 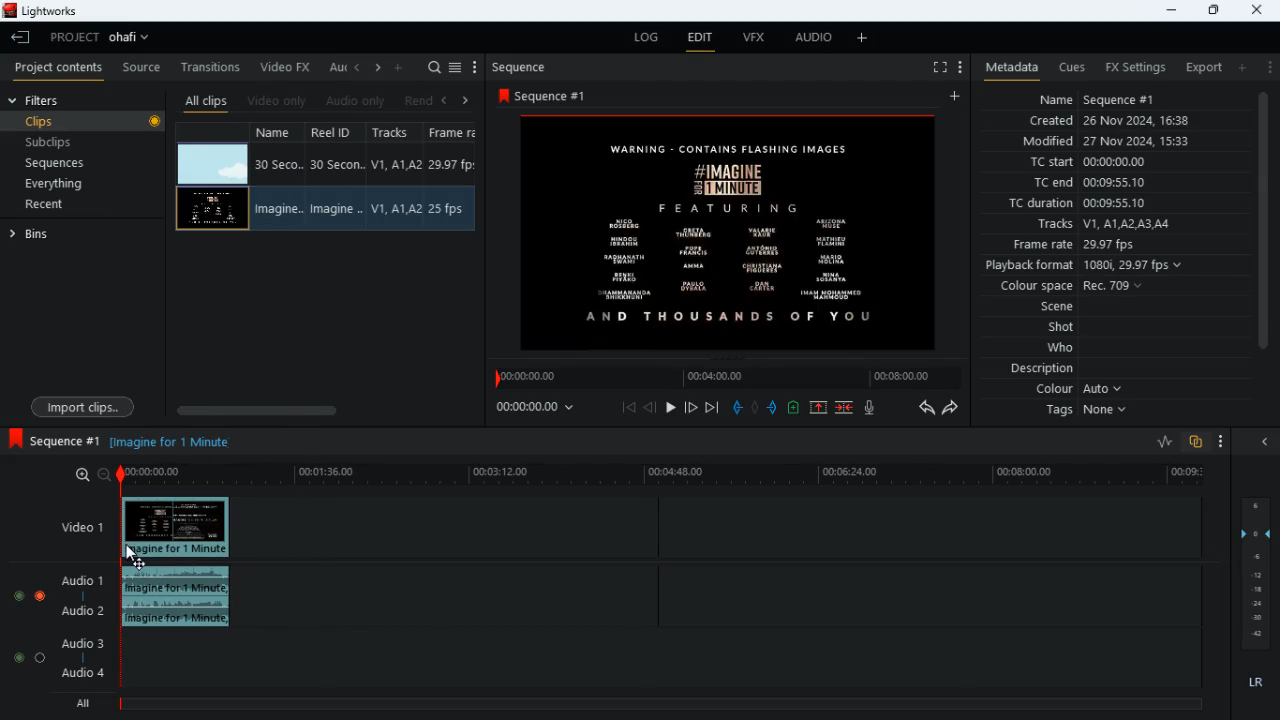 What do you see at coordinates (1200, 67) in the screenshot?
I see `export` at bounding box center [1200, 67].